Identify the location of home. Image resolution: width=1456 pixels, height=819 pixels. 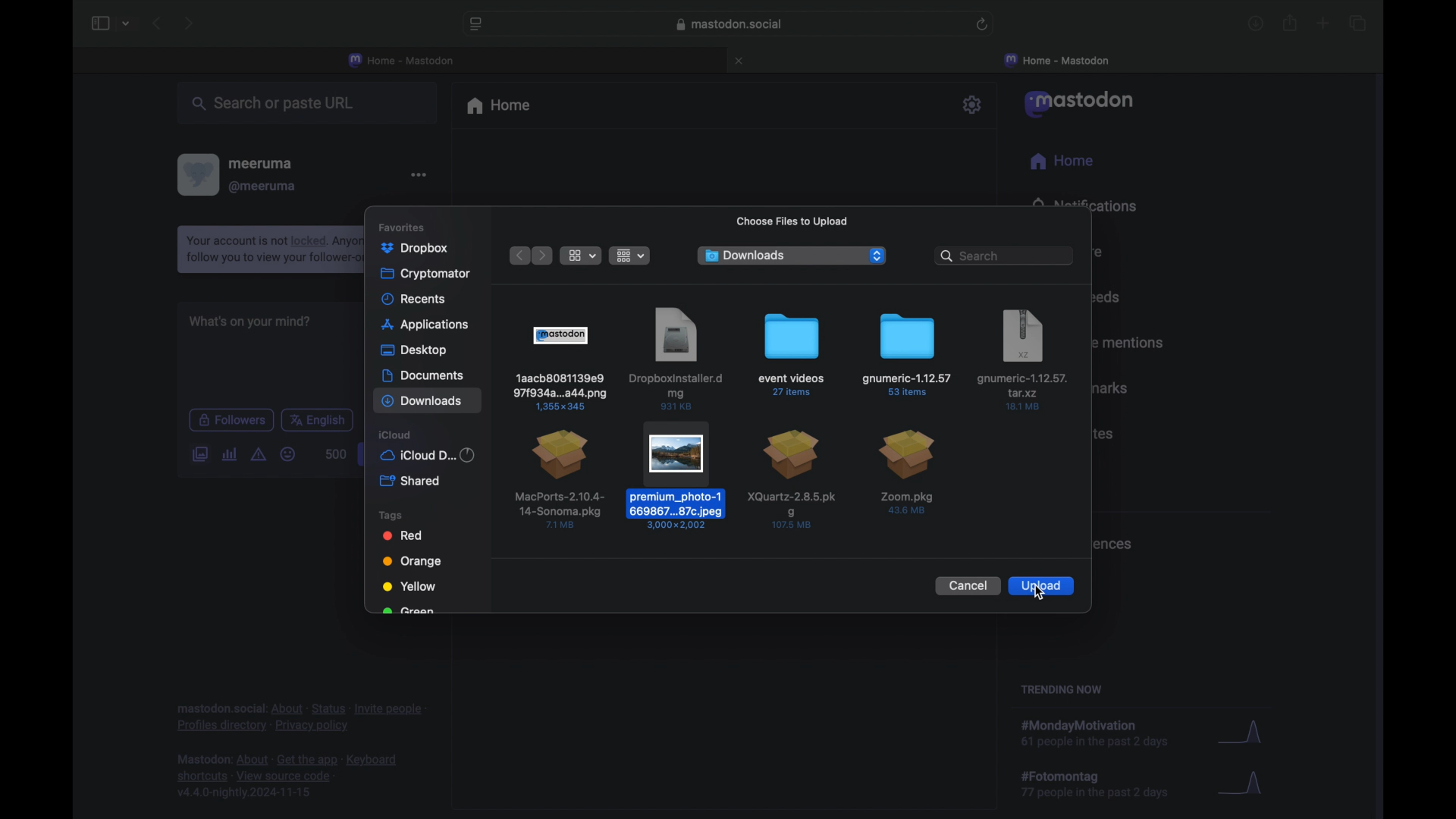
(1061, 161).